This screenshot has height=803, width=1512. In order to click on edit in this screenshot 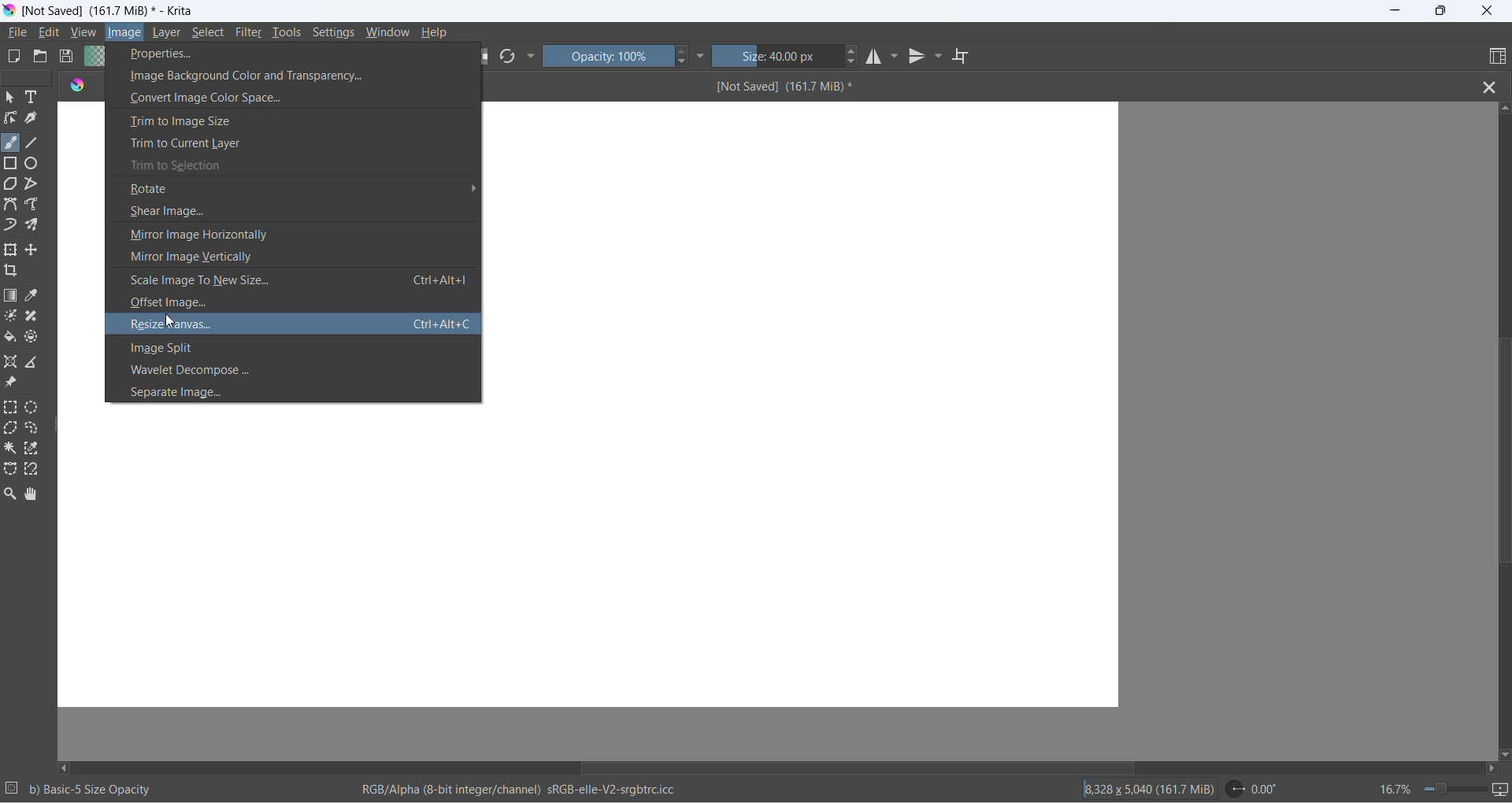, I will do `click(53, 33)`.